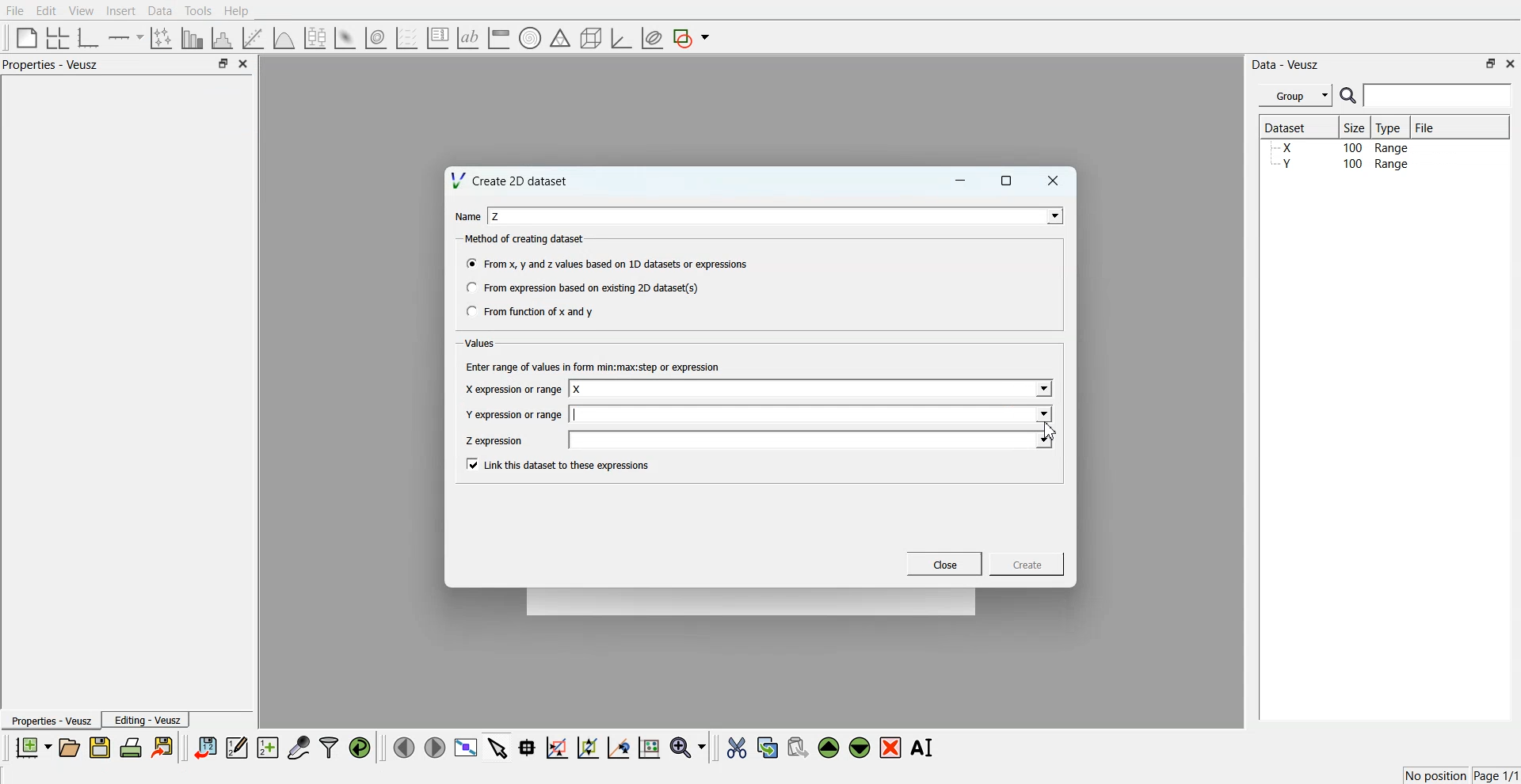 This screenshot has width=1521, height=784. What do you see at coordinates (498, 746) in the screenshot?
I see `Select items from graph or scroll` at bounding box center [498, 746].